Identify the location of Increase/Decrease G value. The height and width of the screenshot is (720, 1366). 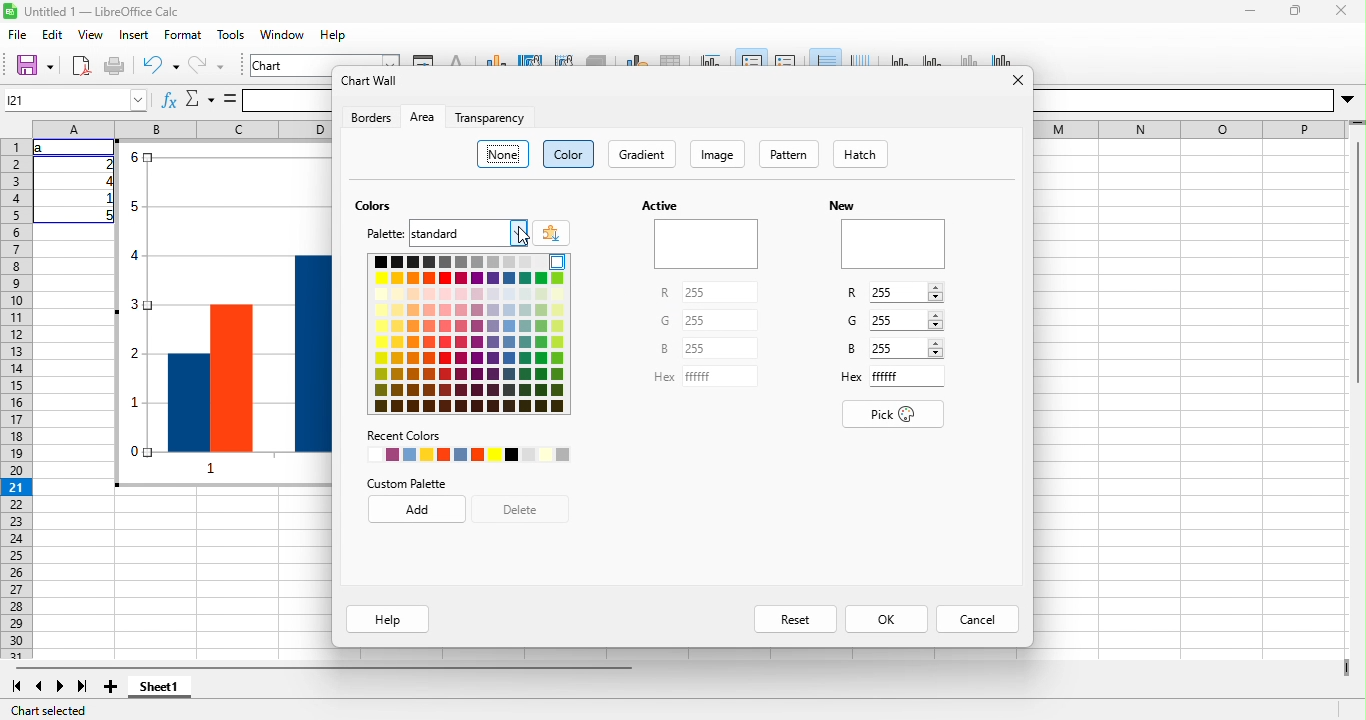
(935, 320).